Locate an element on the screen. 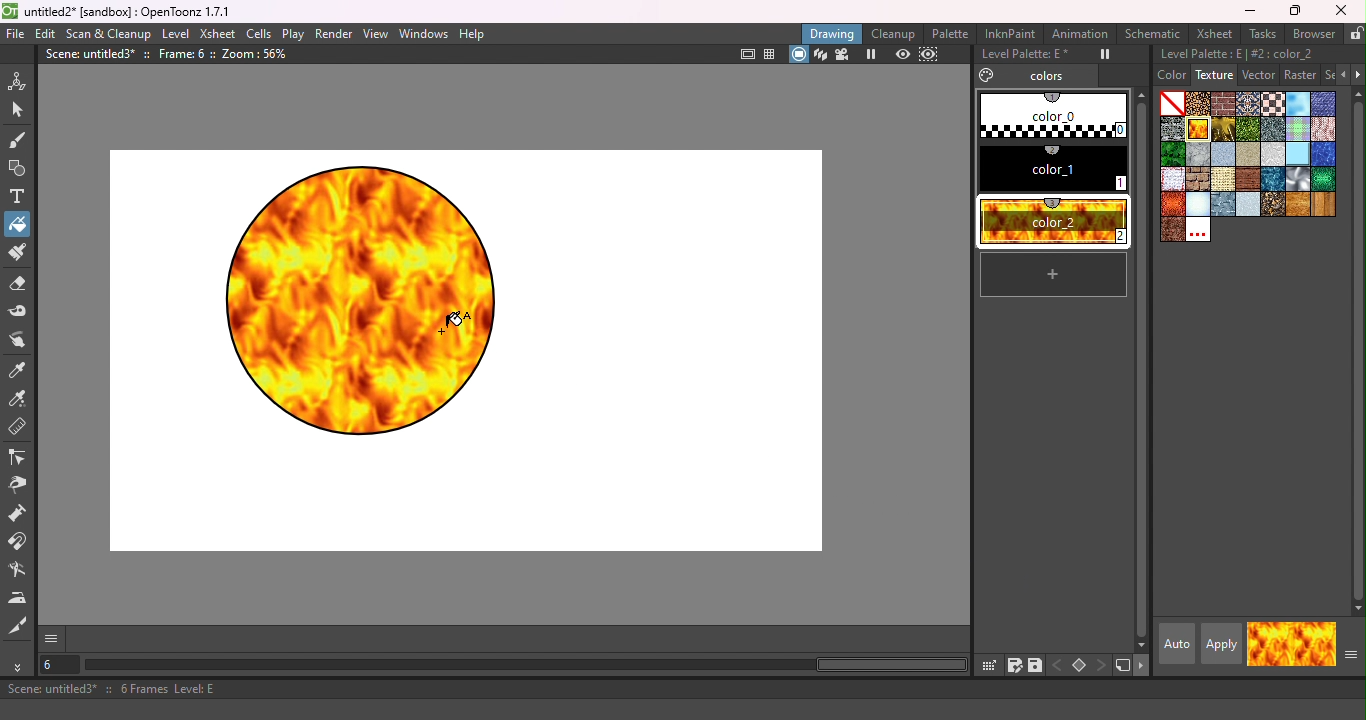  Level palette: E | #2:color_2 is located at coordinates (1257, 54).